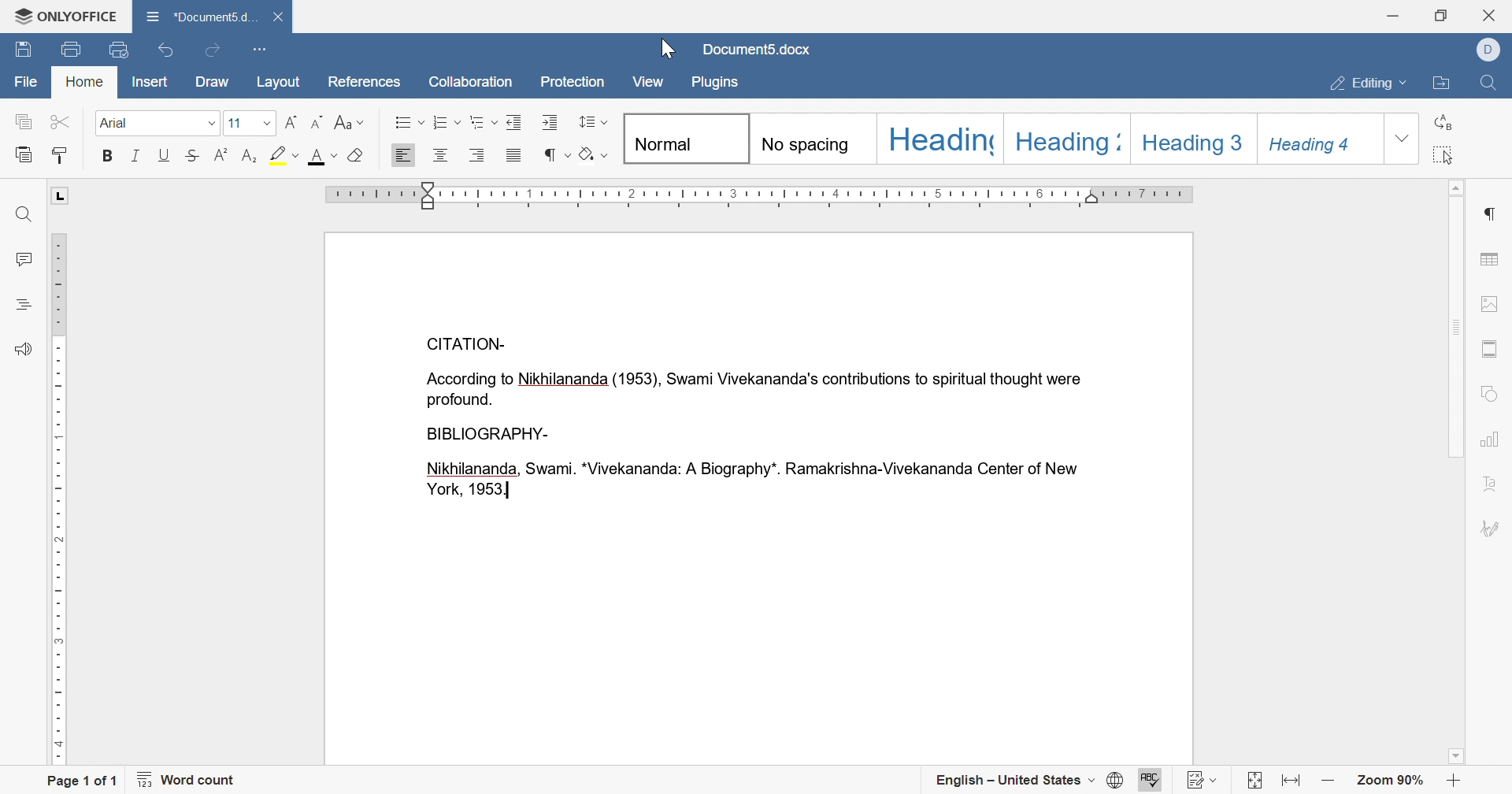 The height and width of the screenshot is (794, 1512). Describe the element at coordinates (480, 119) in the screenshot. I see `multilevel list` at that location.